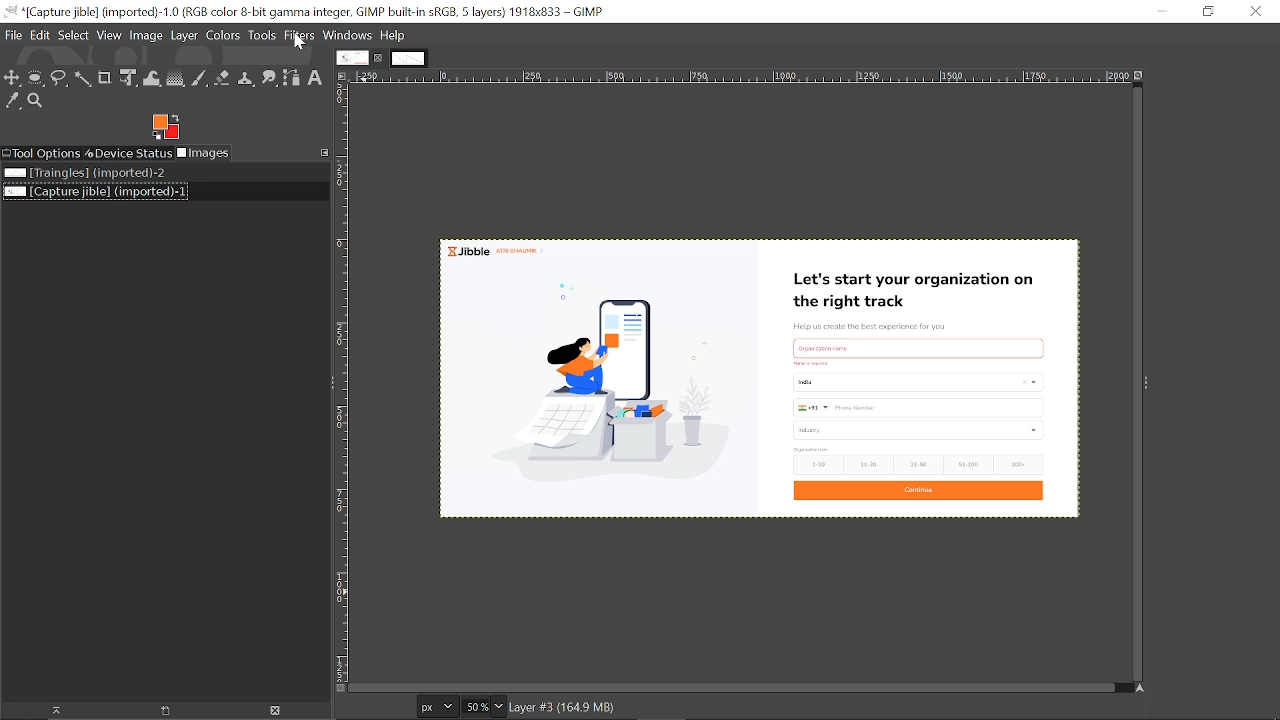 This screenshot has width=1280, height=720. What do you see at coordinates (13, 78) in the screenshot?
I see `Move tool` at bounding box center [13, 78].